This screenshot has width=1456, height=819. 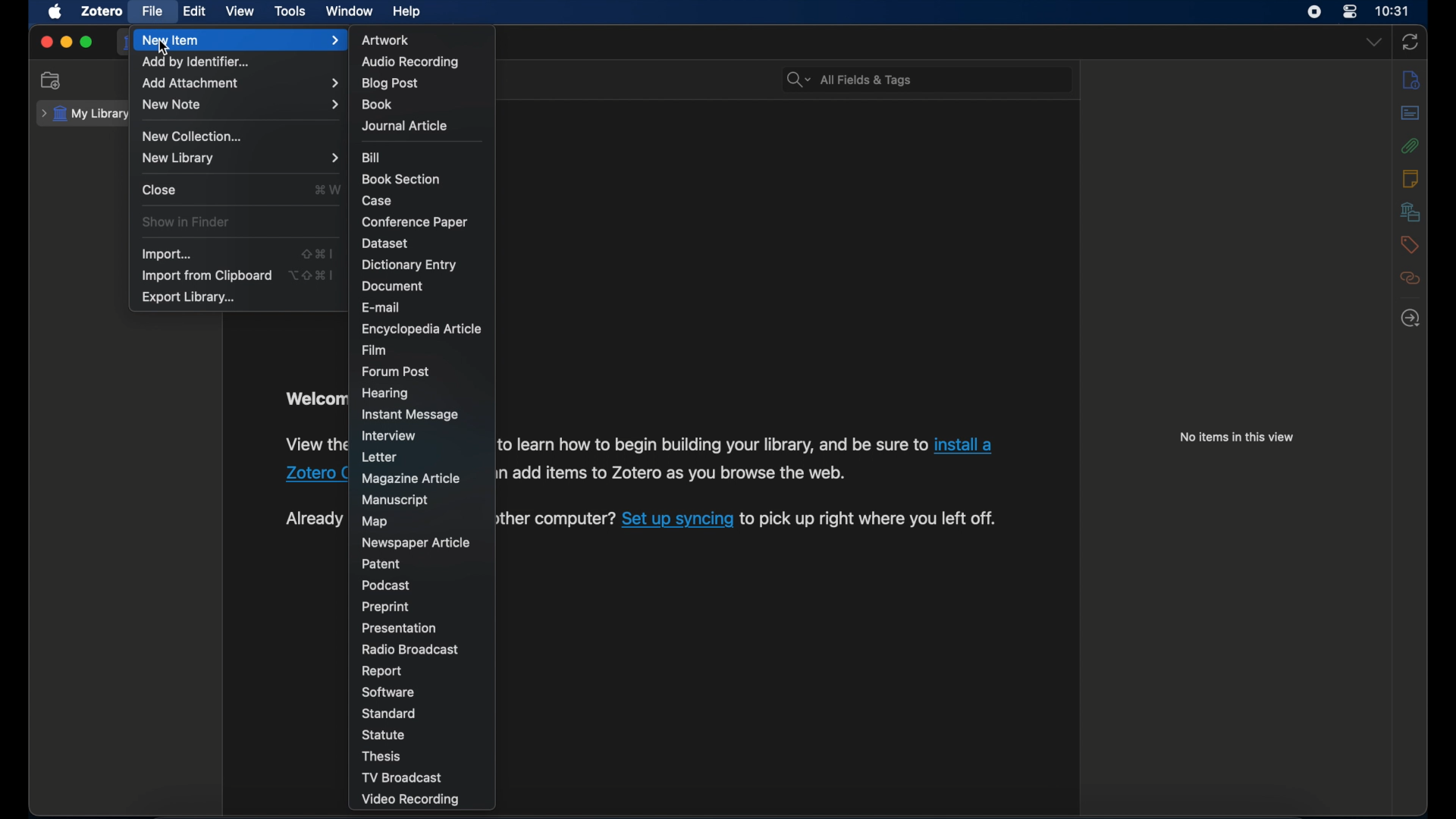 I want to click on new collection, so click(x=52, y=80).